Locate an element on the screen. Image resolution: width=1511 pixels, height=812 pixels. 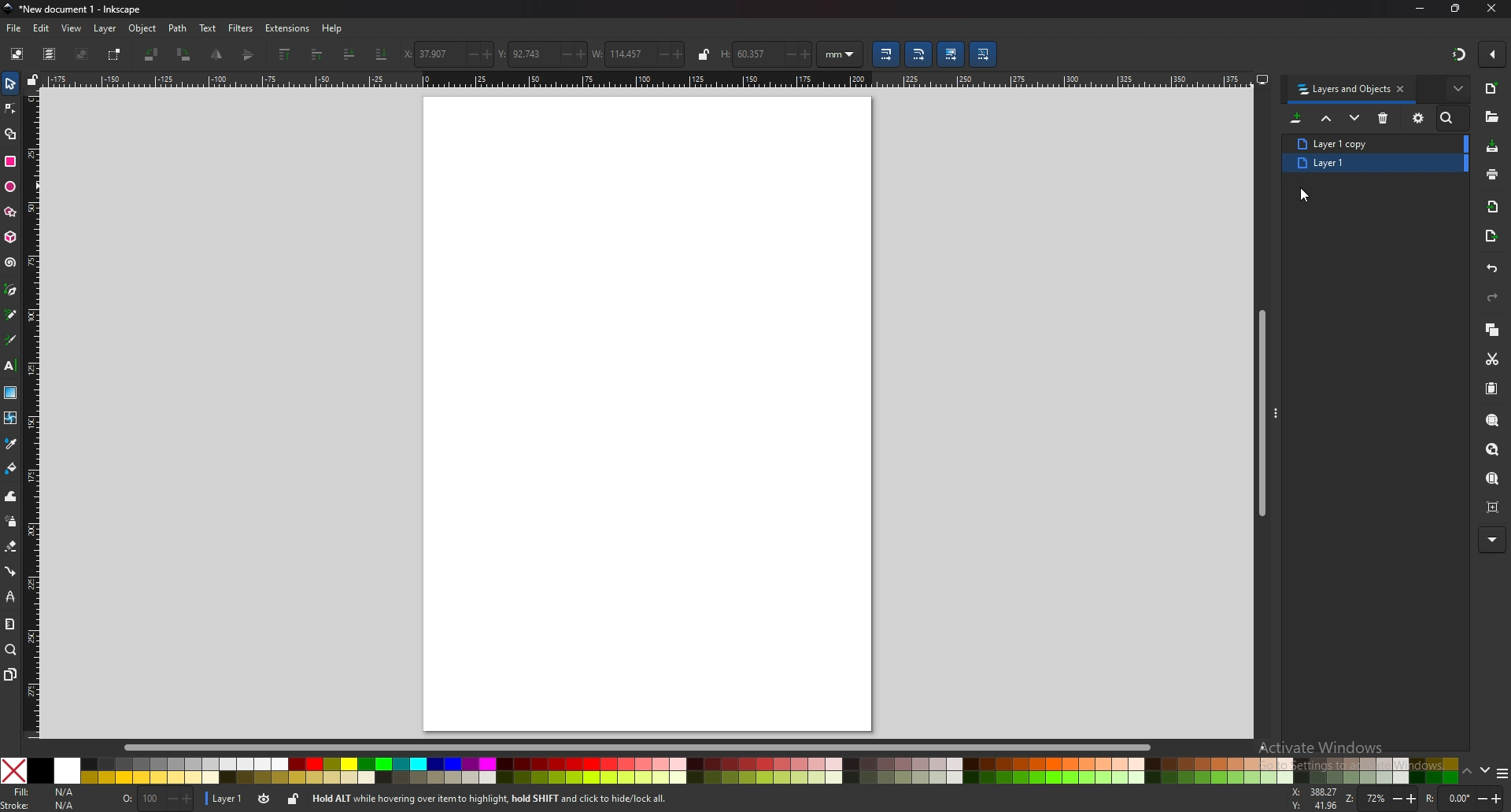
toggle selection box is located at coordinates (113, 55).